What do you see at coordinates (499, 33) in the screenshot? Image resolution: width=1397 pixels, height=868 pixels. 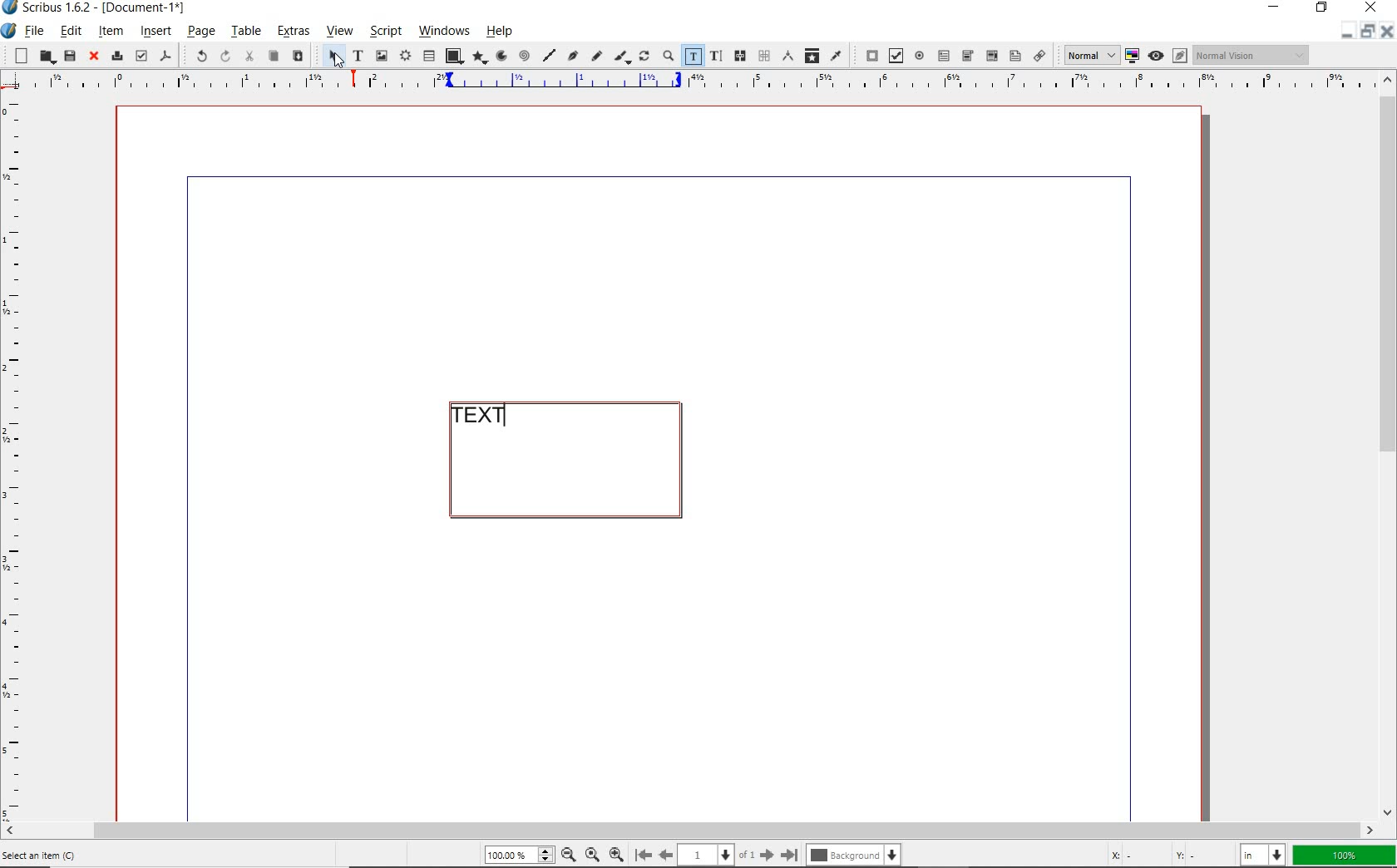 I see `help` at bounding box center [499, 33].